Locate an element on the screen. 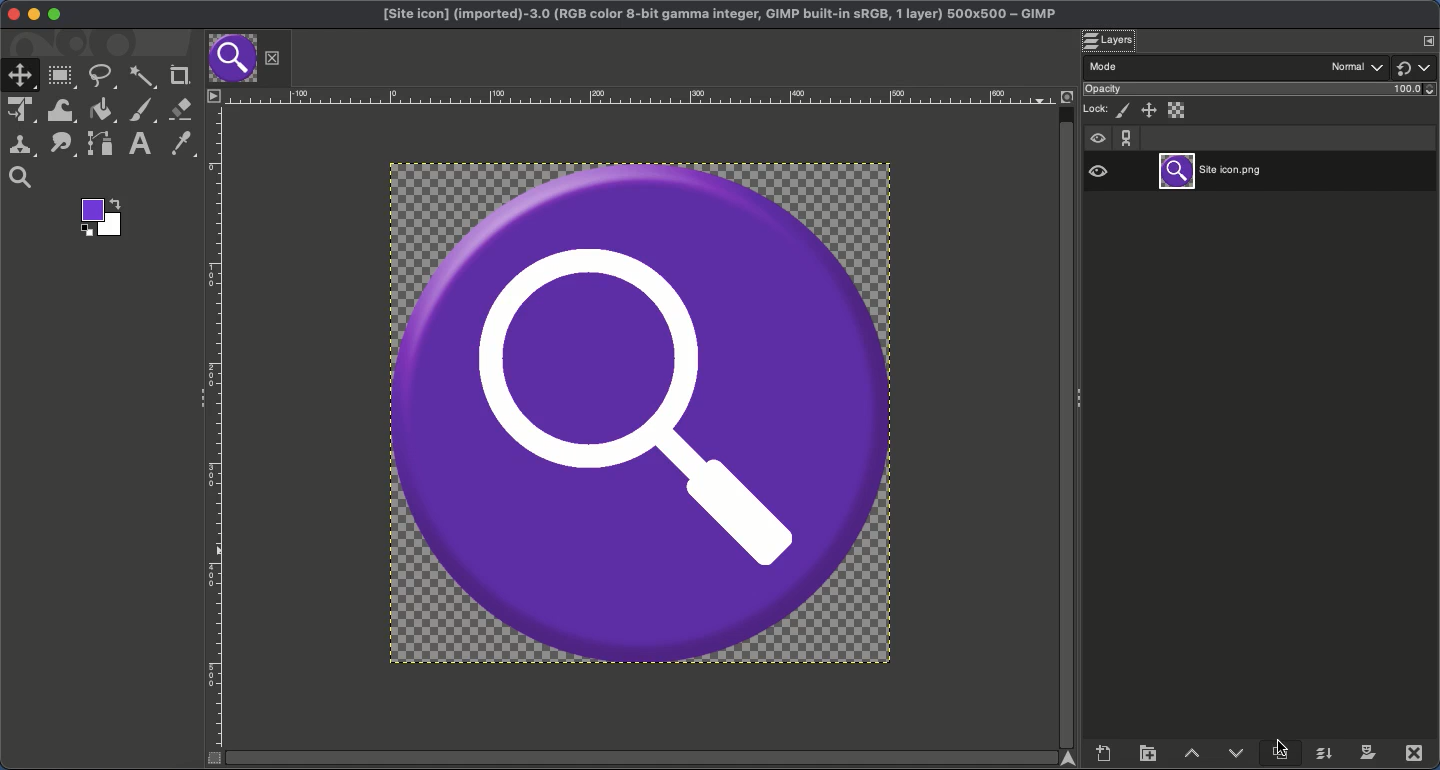  Normal is located at coordinates (1358, 65).